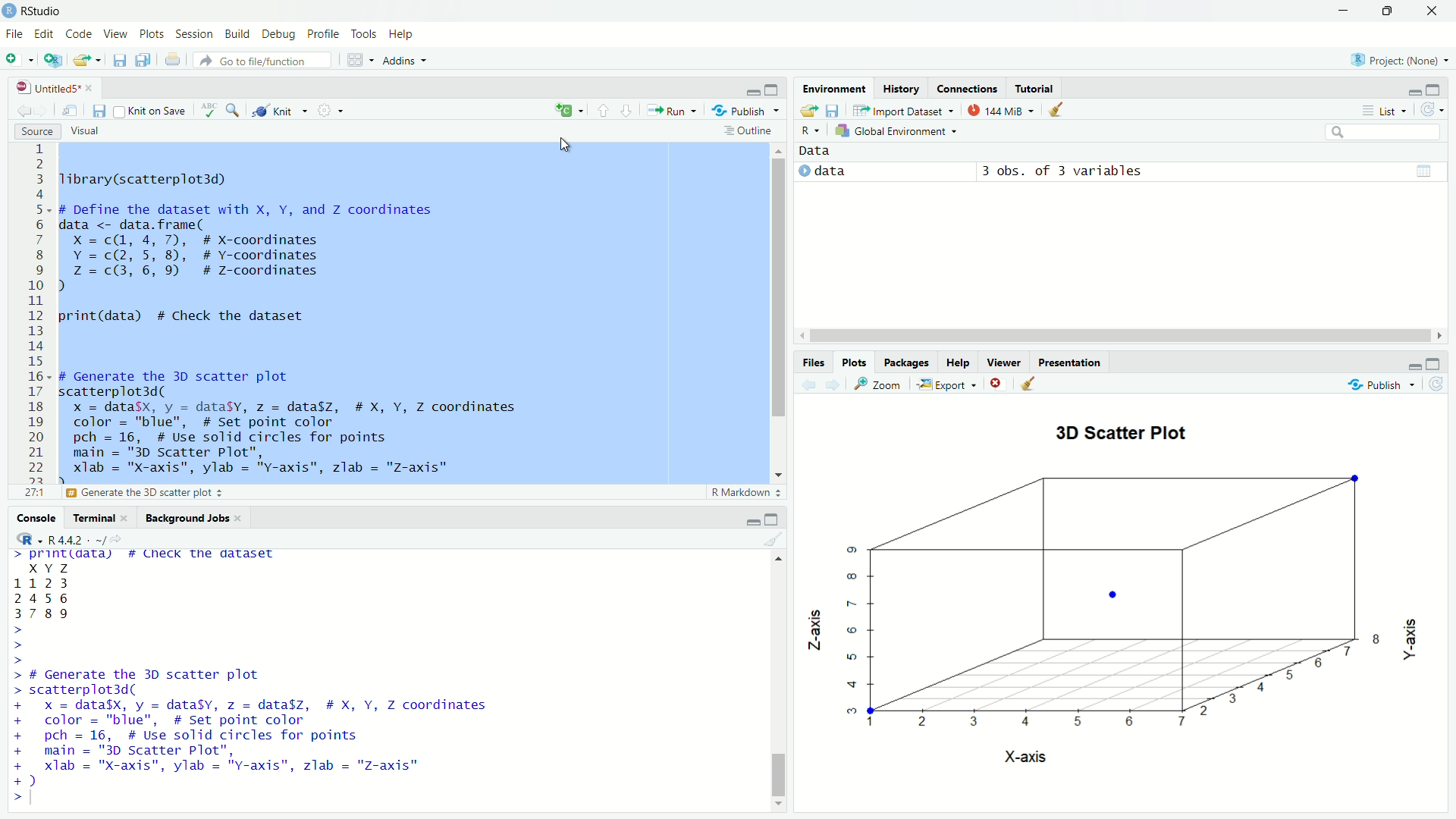  What do you see at coordinates (309, 424) in the screenshot?
I see `# Generate the 3D scatter plotscatterplot3d(x = datasx, y = dataSy, z = data$z, # X, Y, Z coordinatescolor = "blue", # Set point colorpch = 16, # Use solid circles for pointsmain = "3D Scatter Plot",xlab = "X-axis", ylab = "Y-axis", zlab = "Z-axis"` at bounding box center [309, 424].